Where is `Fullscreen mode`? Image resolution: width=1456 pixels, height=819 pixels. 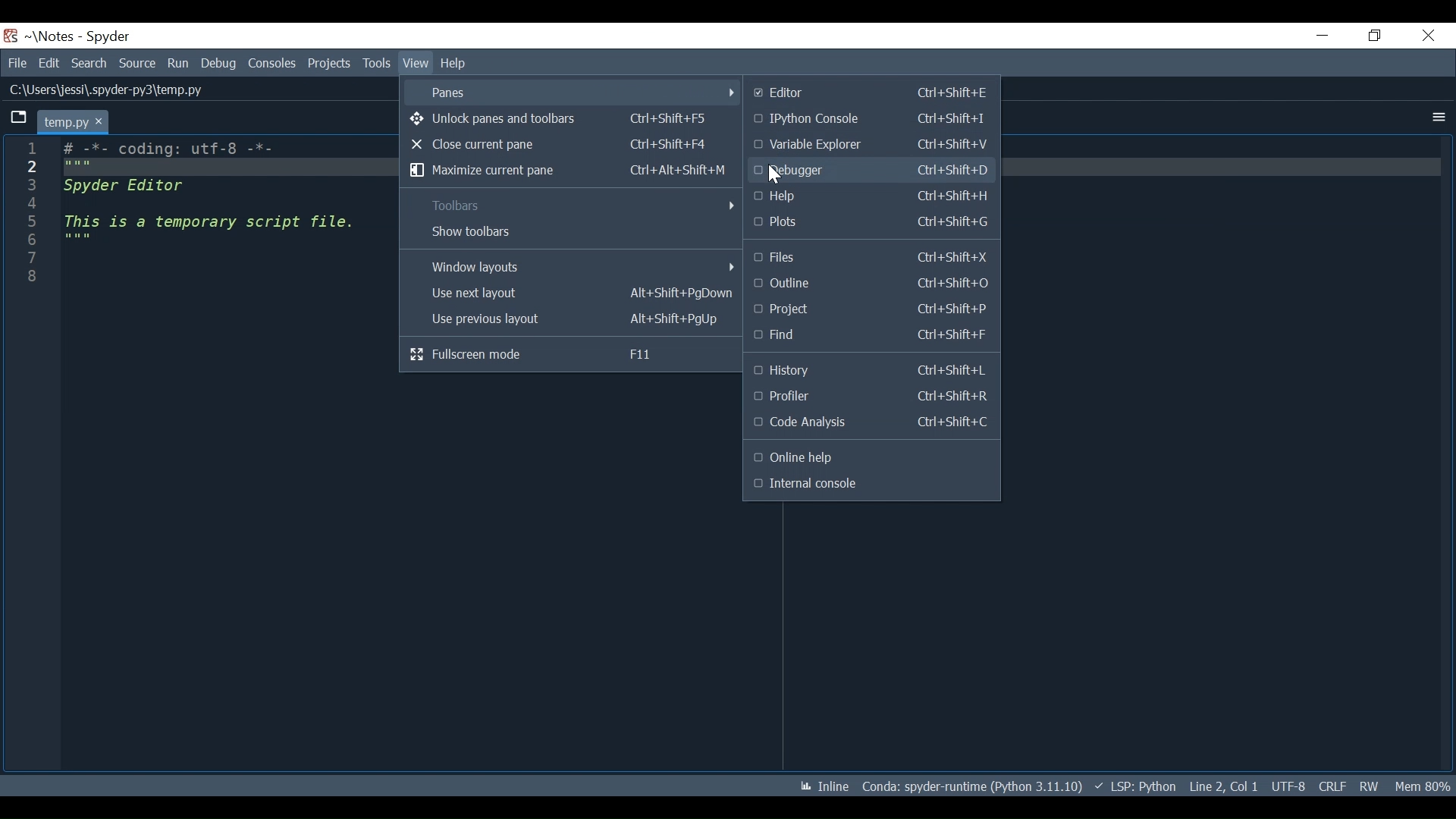
Fullscreen mode is located at coordinates (556, 353).